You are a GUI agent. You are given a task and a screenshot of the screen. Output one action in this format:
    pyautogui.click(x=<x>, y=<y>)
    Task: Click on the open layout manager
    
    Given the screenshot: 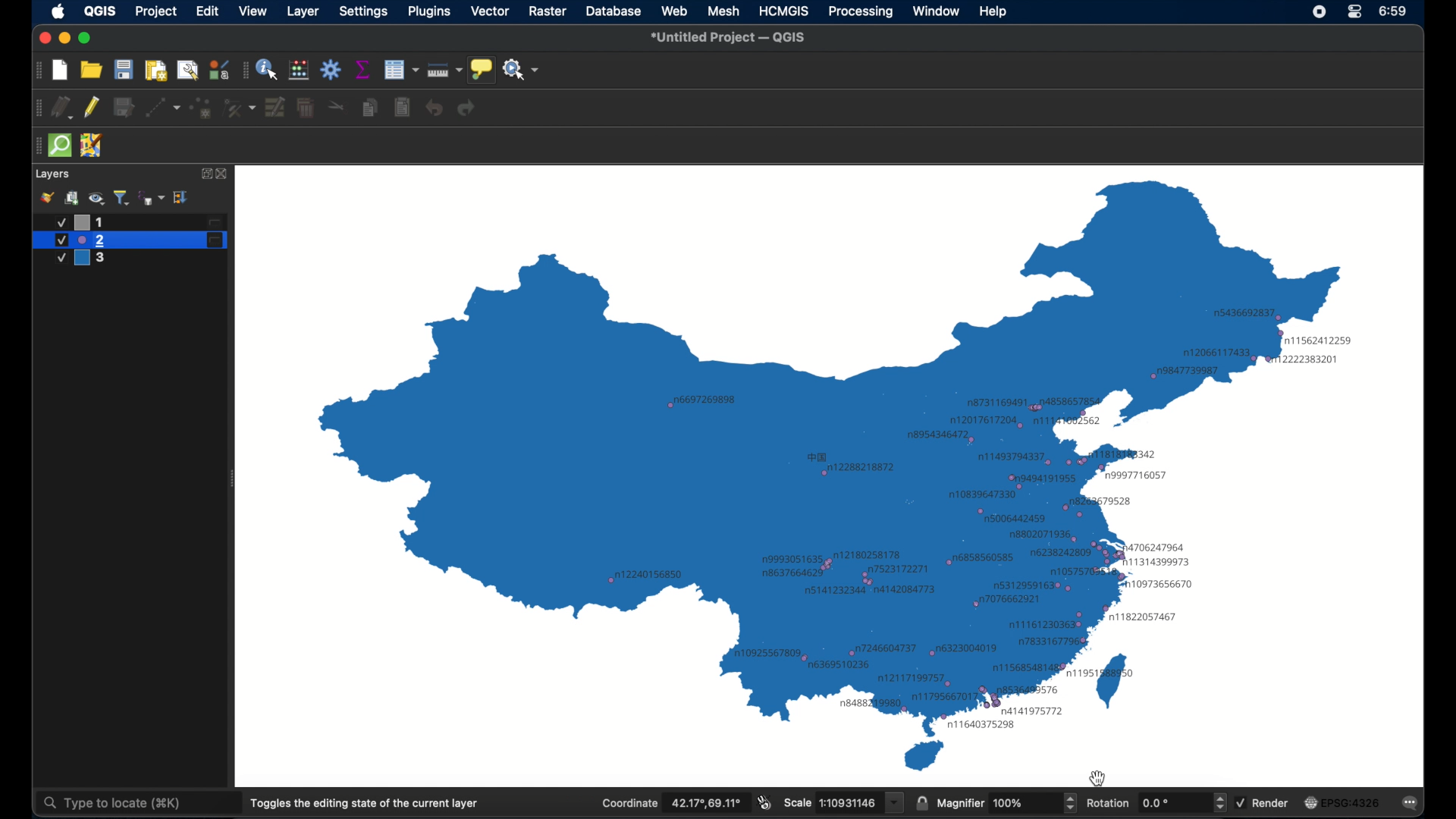 What is the action you would take?
    pyautogui.click(x=187, y=71)
    